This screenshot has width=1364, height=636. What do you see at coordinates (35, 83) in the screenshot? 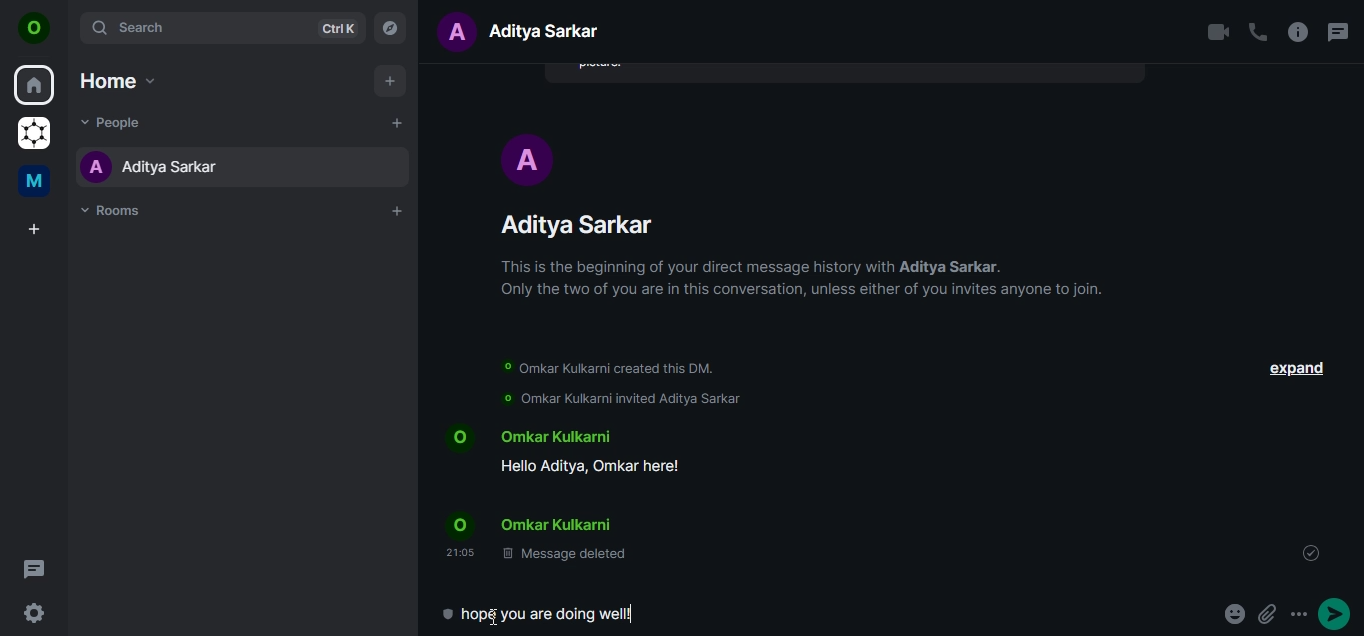
I see `home` at bounding box center [35, 83].